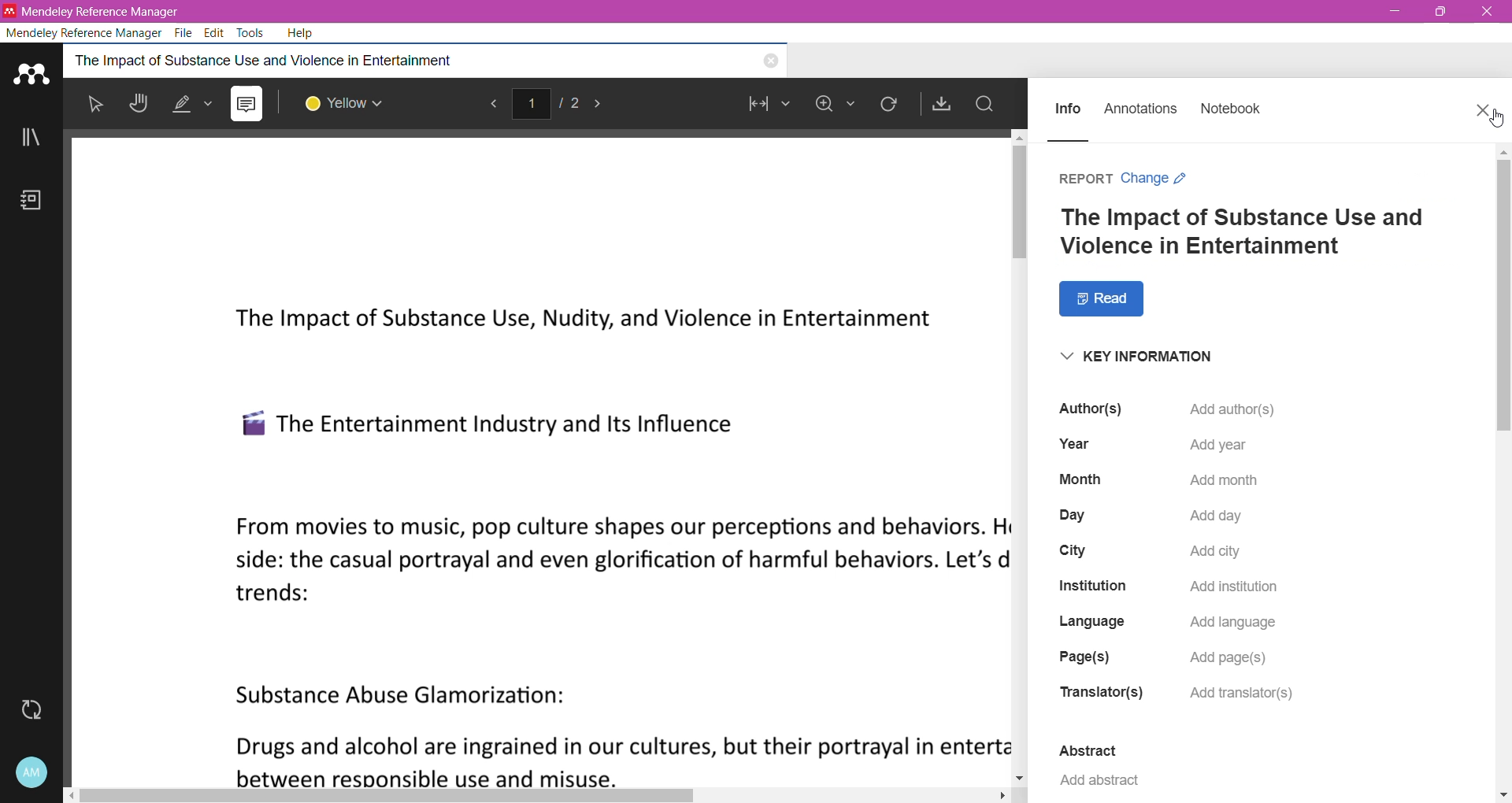 The image size is (1512, 803). Describe the element at coordinates (195, 102) in the screenshot. I see `Highlight options` at that location.